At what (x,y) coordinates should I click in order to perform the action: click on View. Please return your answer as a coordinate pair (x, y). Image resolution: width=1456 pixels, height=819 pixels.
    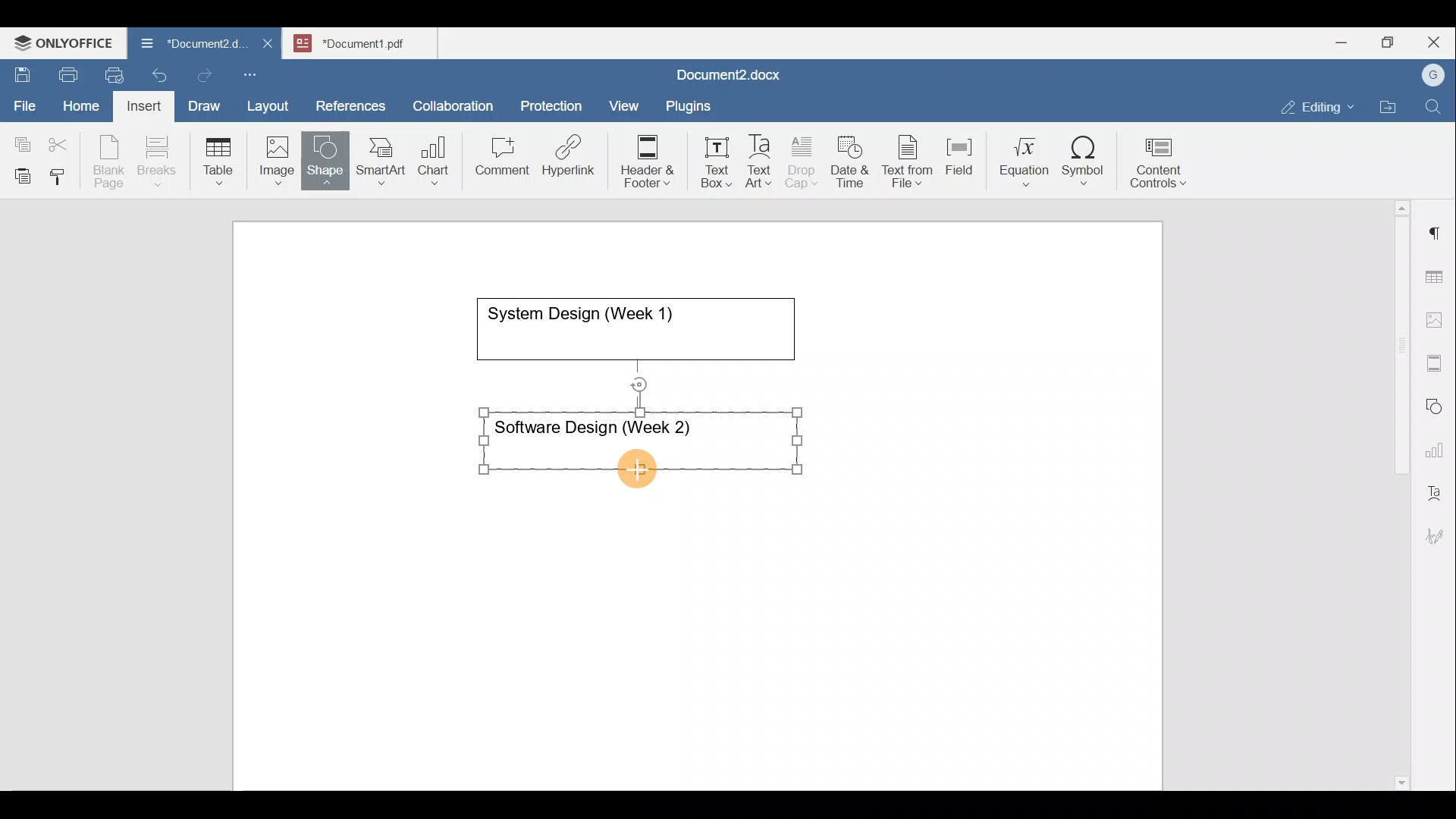
    Looking at the image, I should click on (625, 101).